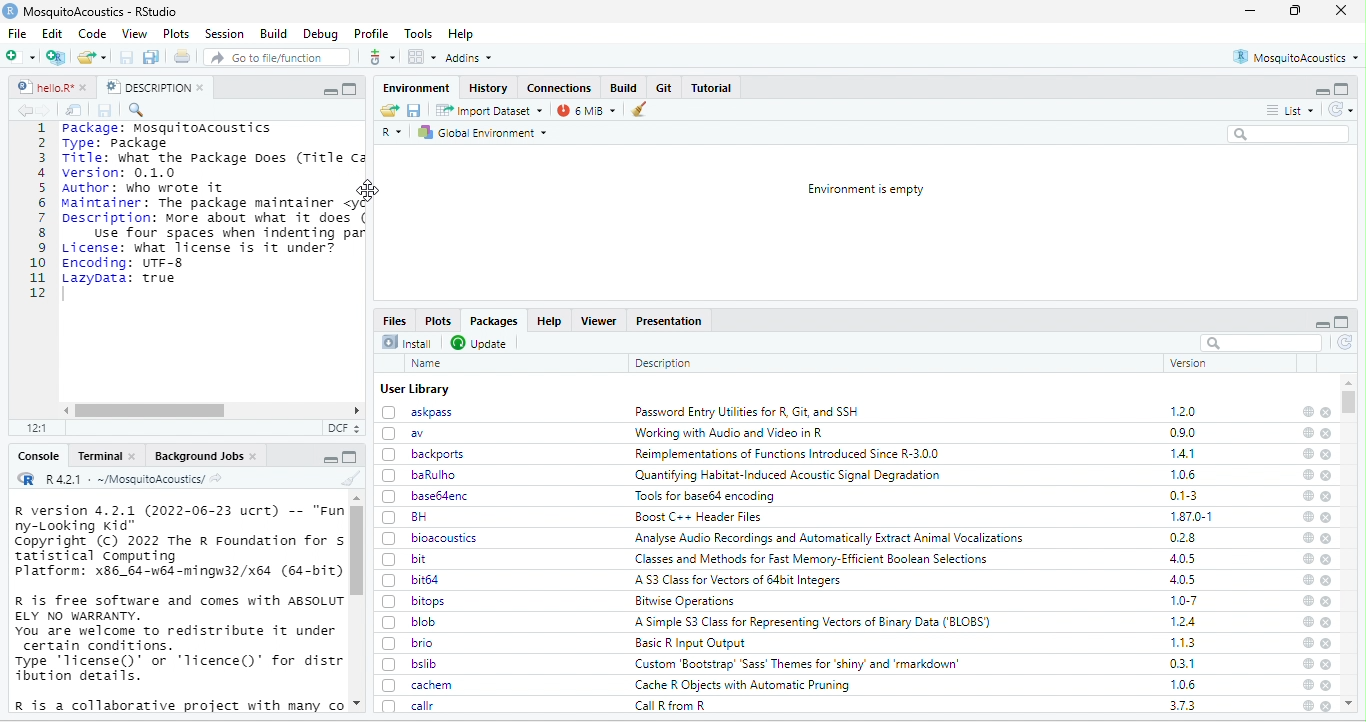  What do you see at coordinates (1325, 518) in the screenshot?
I see `close` at bounding box center [1325, 518].